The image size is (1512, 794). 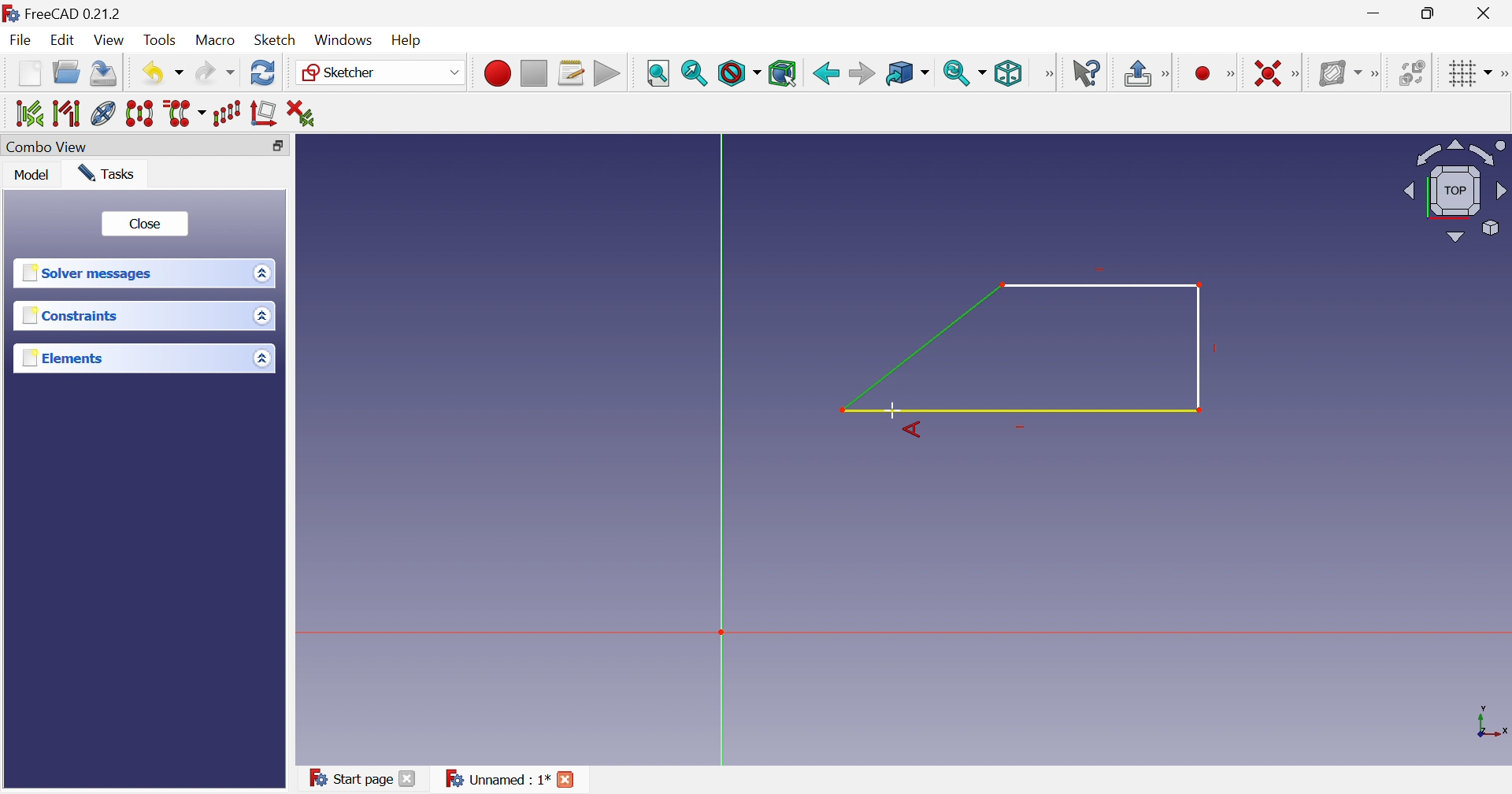 What do you see at coordinates (1175, 72) in the screenshot?
I see `constraint point onto object` at bounding box center [1175, 72].